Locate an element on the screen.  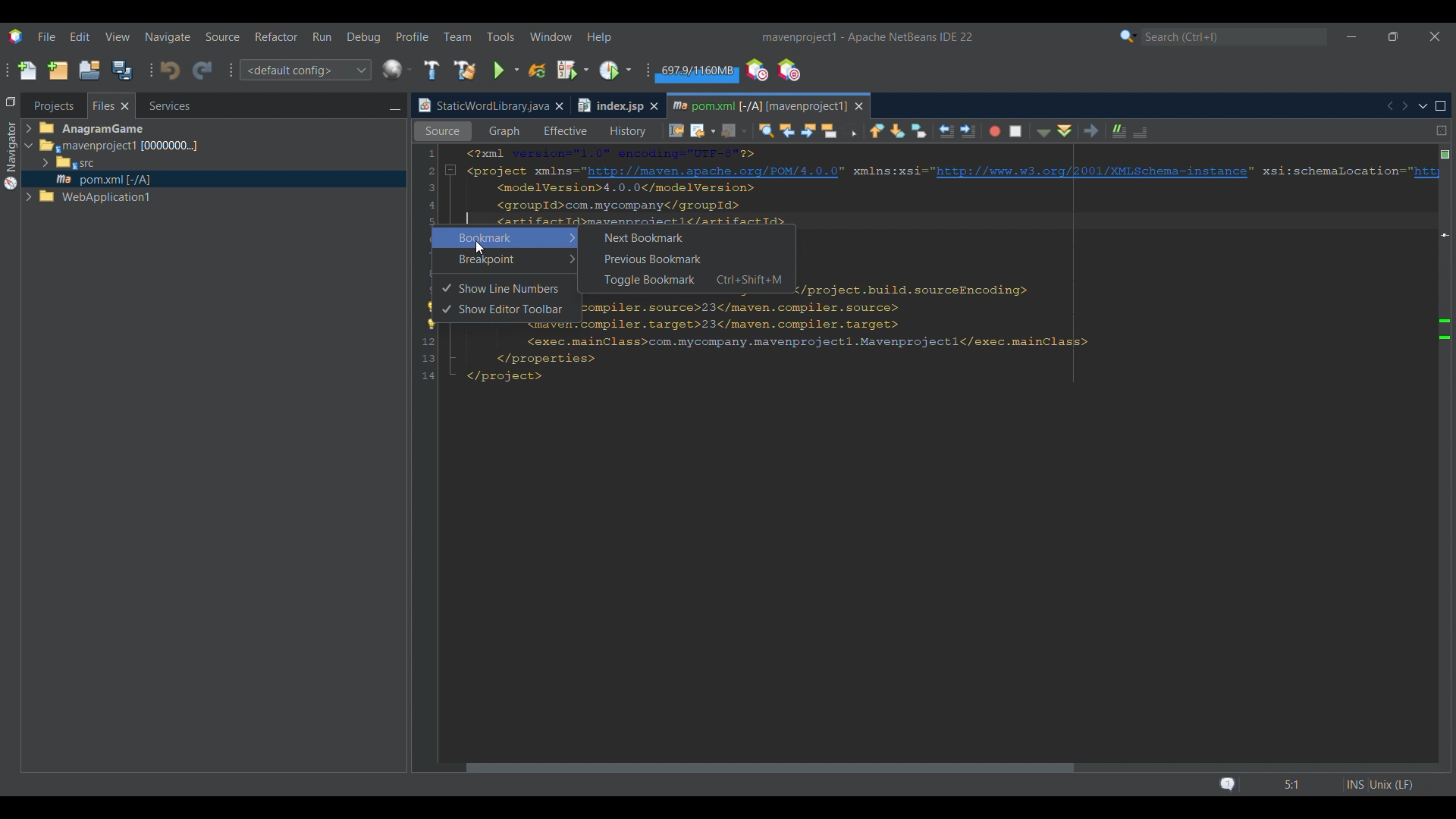
Convert to release option for strict compatibility checks is located at coordinates (431, 317).